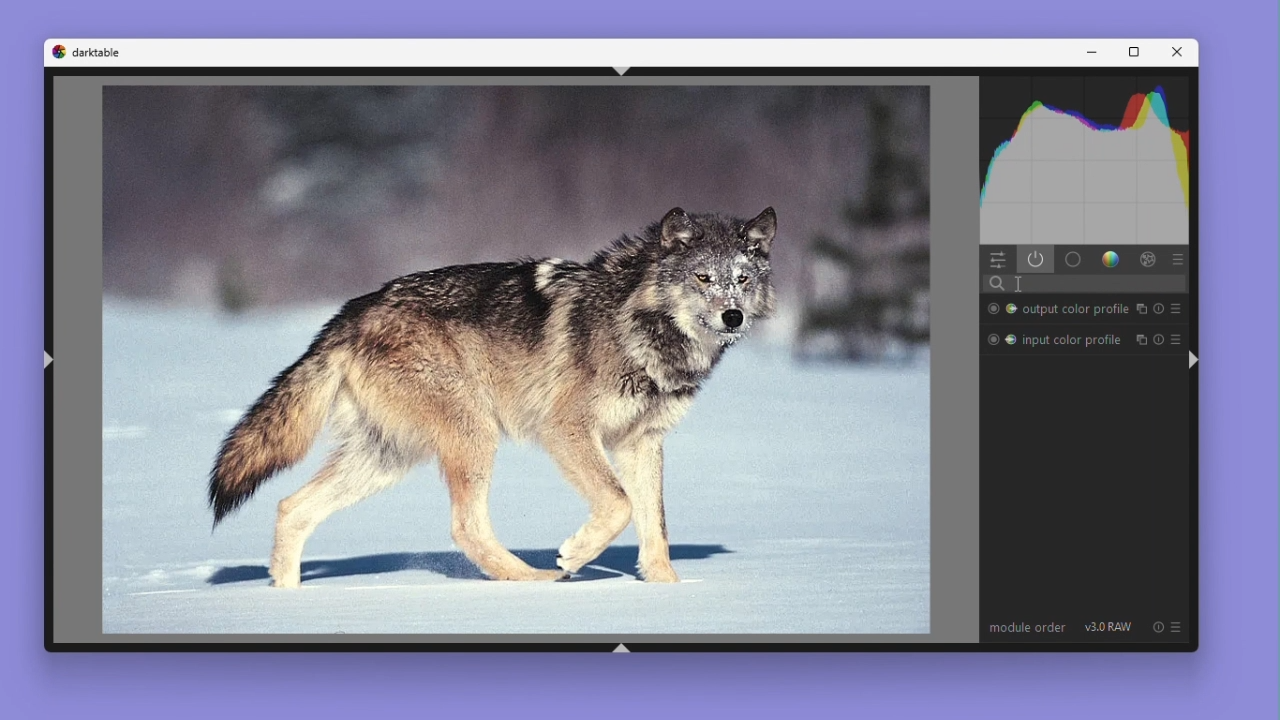  Describe the element at coordinates (1179, 53) in the screenshot. I see `Close` at that location.